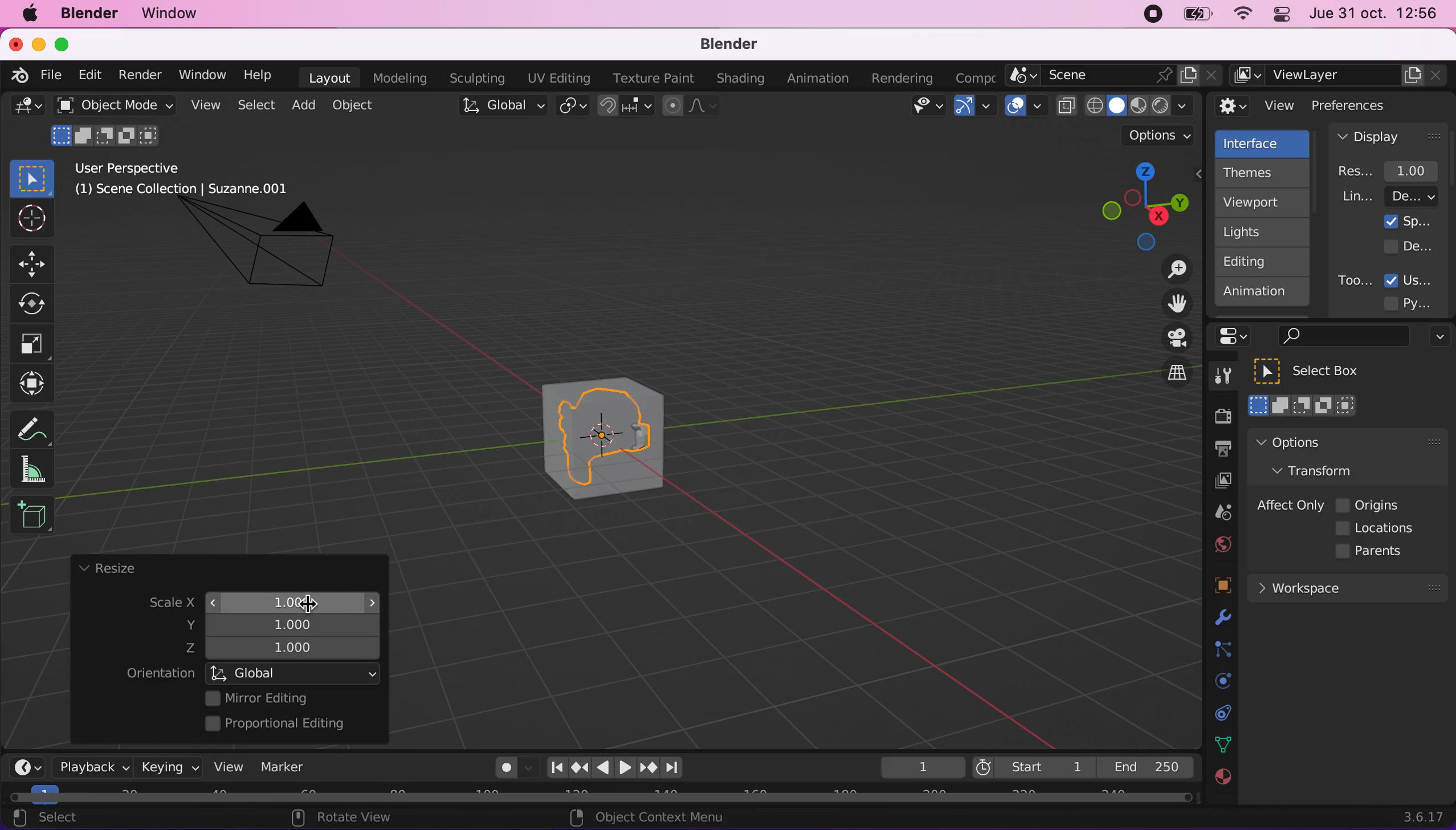 This screenshot has height=830, width=1456. I want to click on view, so click(1256, 106).